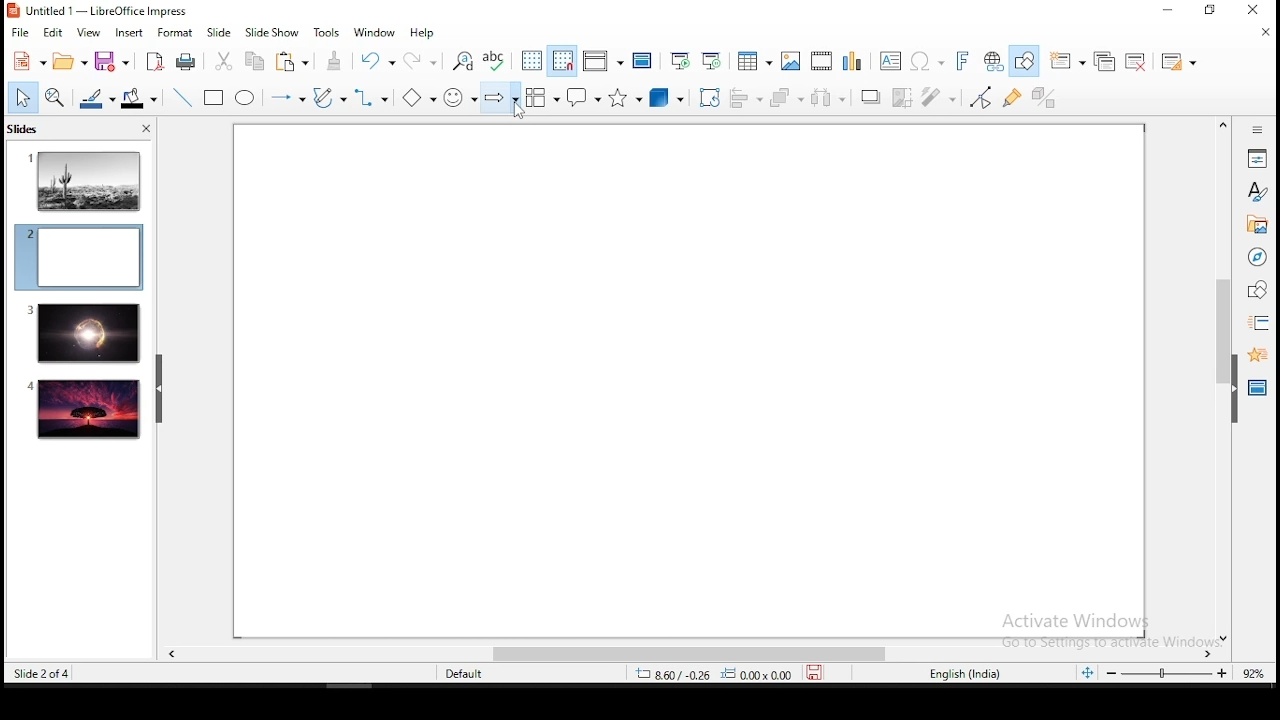  I want to click on english (india), so click(967, 675).